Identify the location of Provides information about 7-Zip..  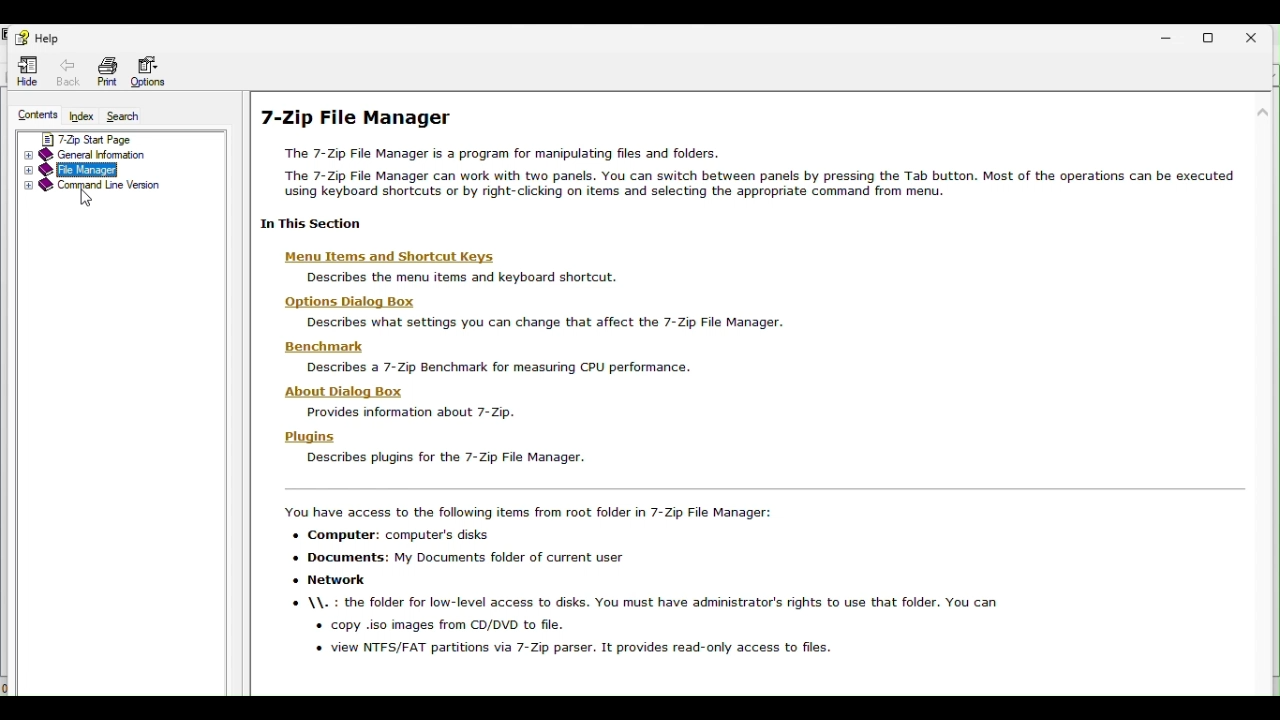
(407, 413).